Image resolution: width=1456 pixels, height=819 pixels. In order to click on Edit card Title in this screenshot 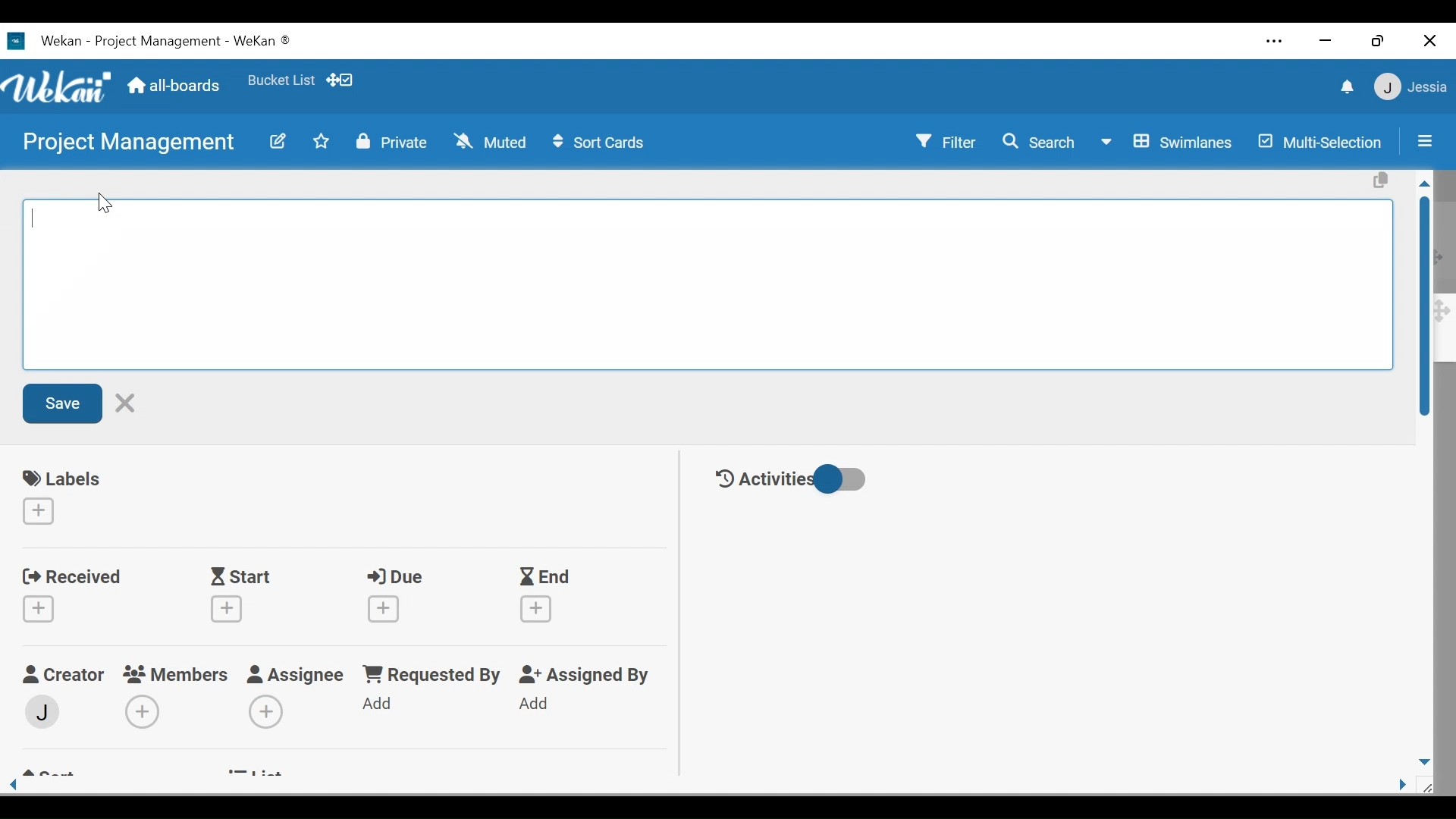, I will do `click(708, 283)`.